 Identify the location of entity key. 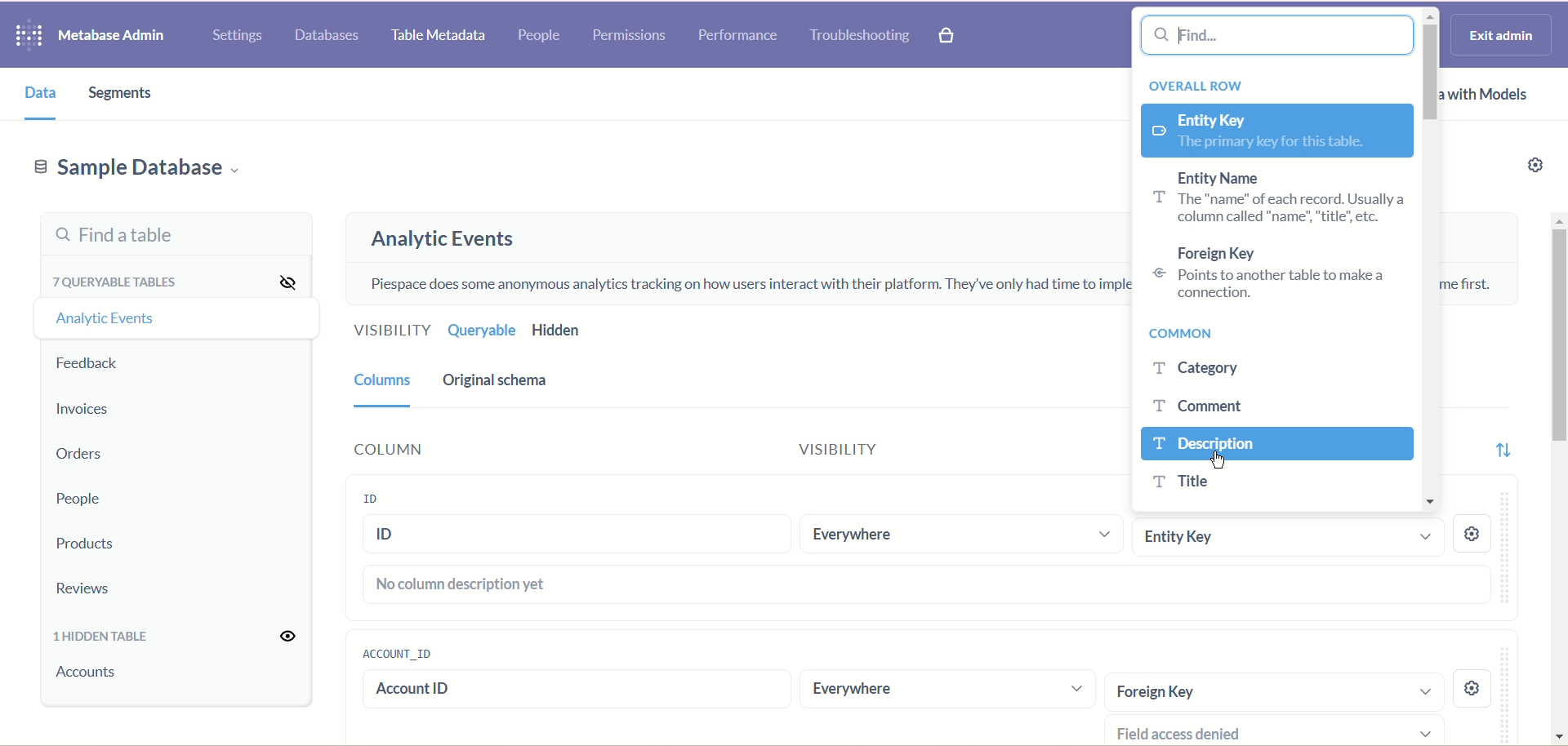
(1273, 128).